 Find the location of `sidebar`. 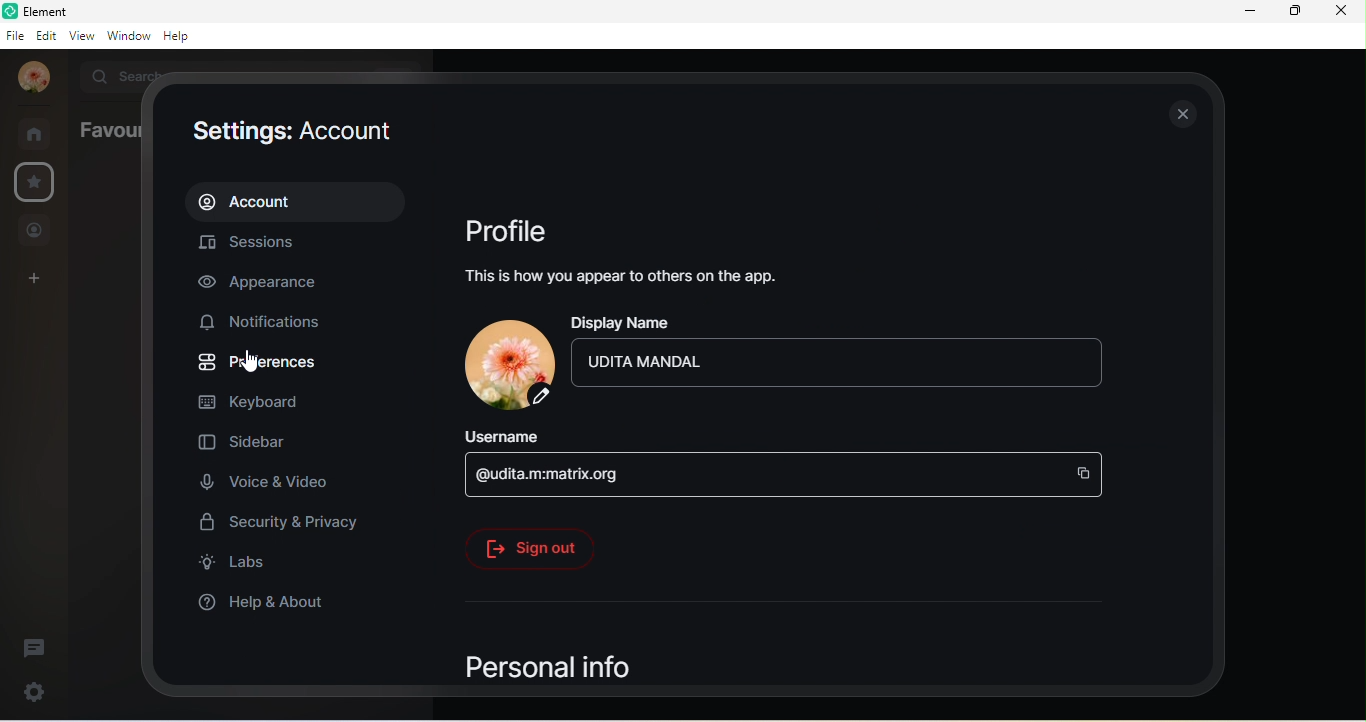

sidebar is located at coordinates (250, 443).